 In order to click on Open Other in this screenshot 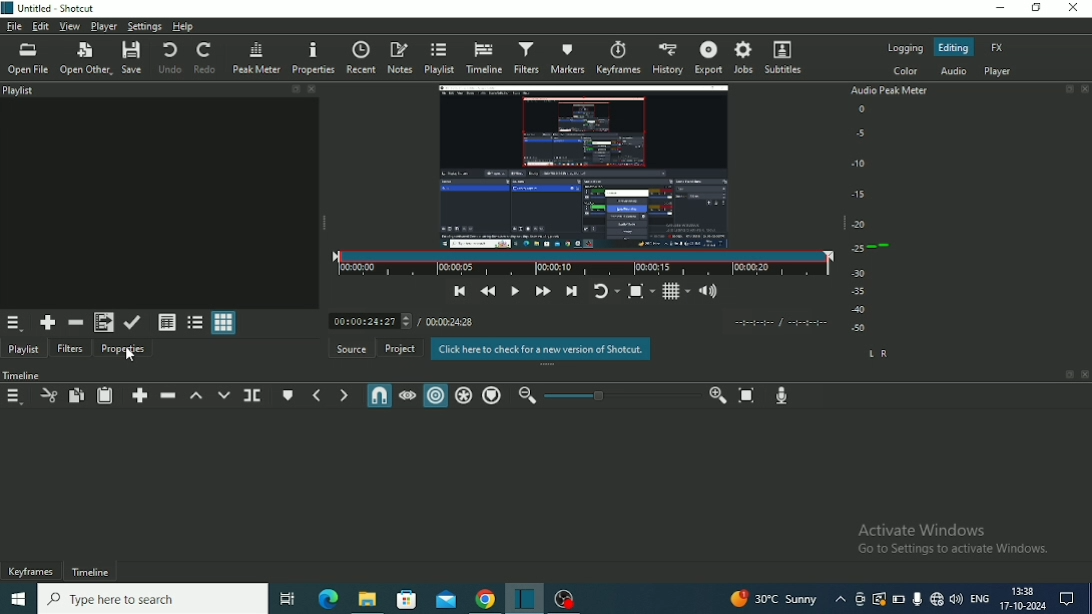, I will do `click(85, 57)`.